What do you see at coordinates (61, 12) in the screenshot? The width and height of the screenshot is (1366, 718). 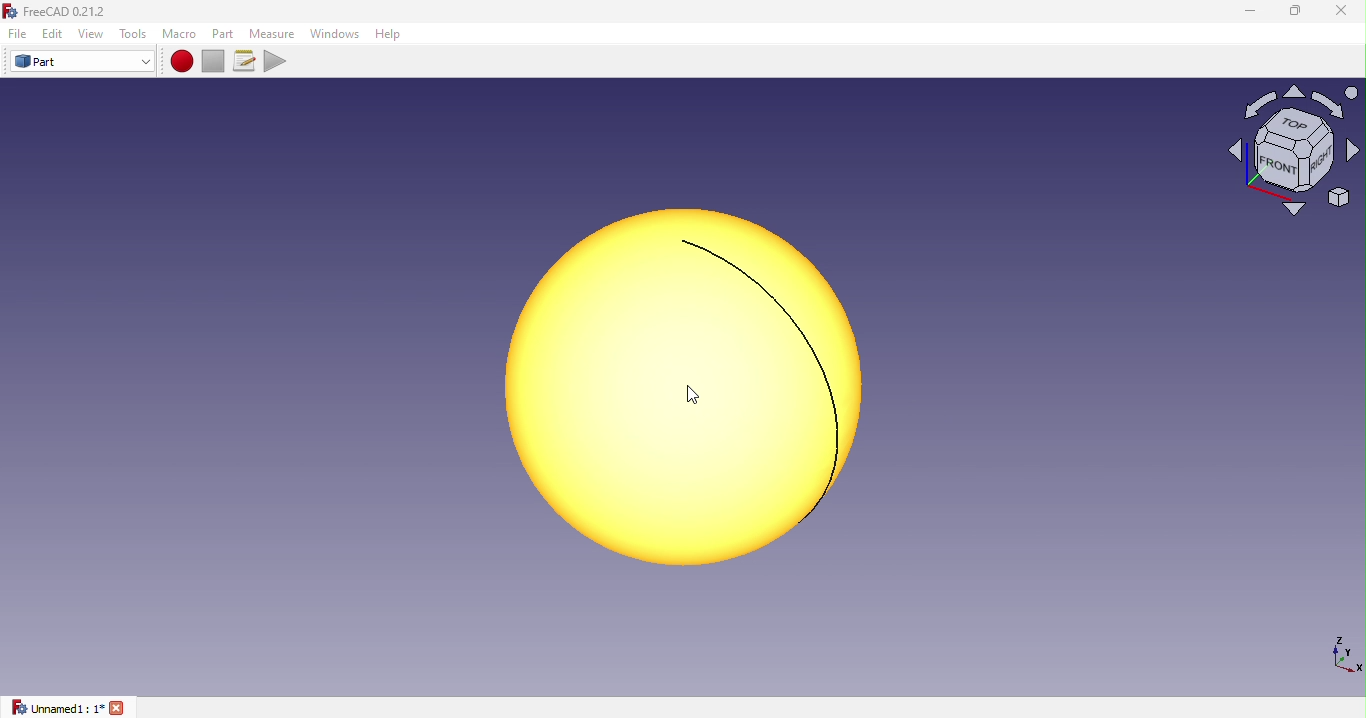 I see `FreeCAD logo` at bounding box center [61, 12].